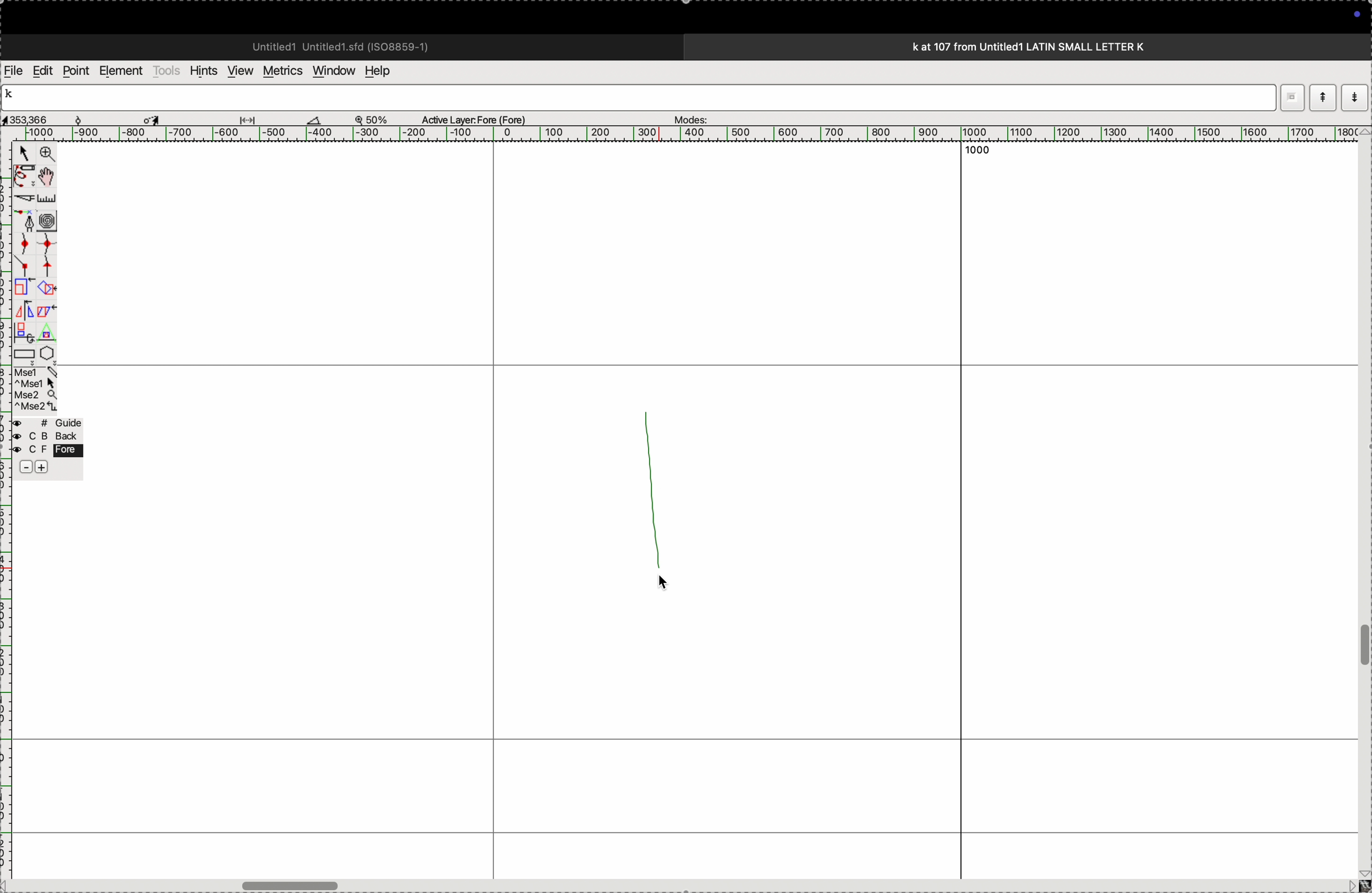  What do you see at coordinates (24, 155) in the screenshot?
I see `cursor` at bounding box center [24, 155].